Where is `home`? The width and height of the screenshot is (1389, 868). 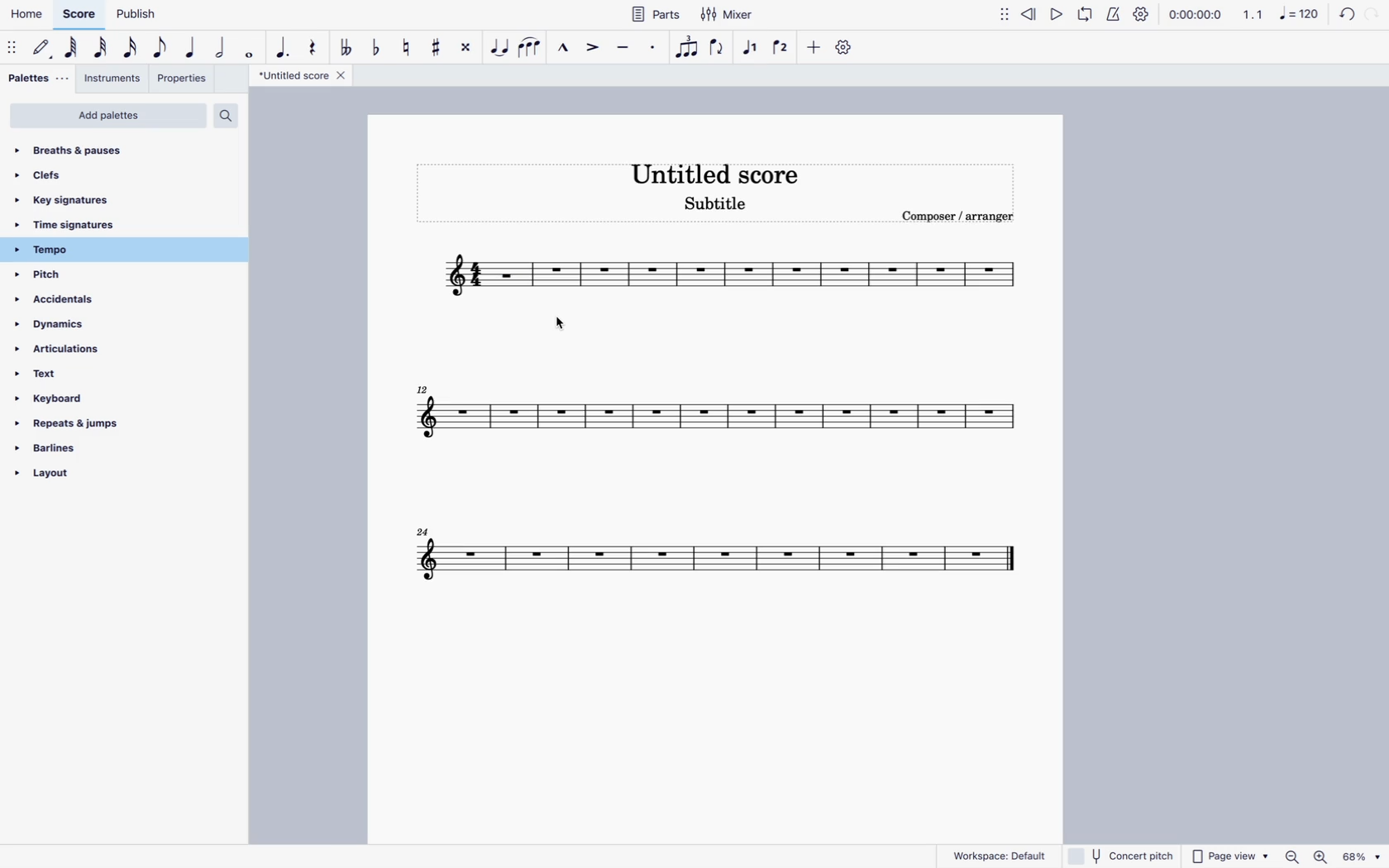 home is located at coordinates (29, 13).